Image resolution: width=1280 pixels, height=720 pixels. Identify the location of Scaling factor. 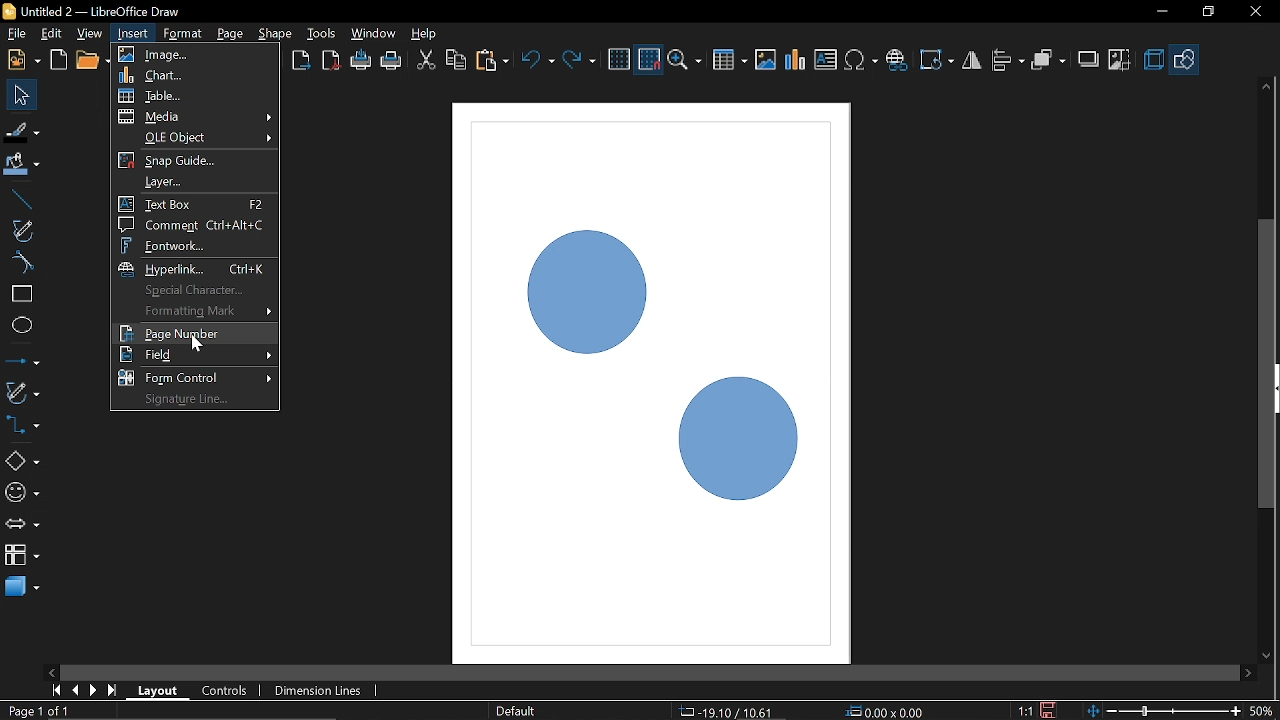
(1025, 711).